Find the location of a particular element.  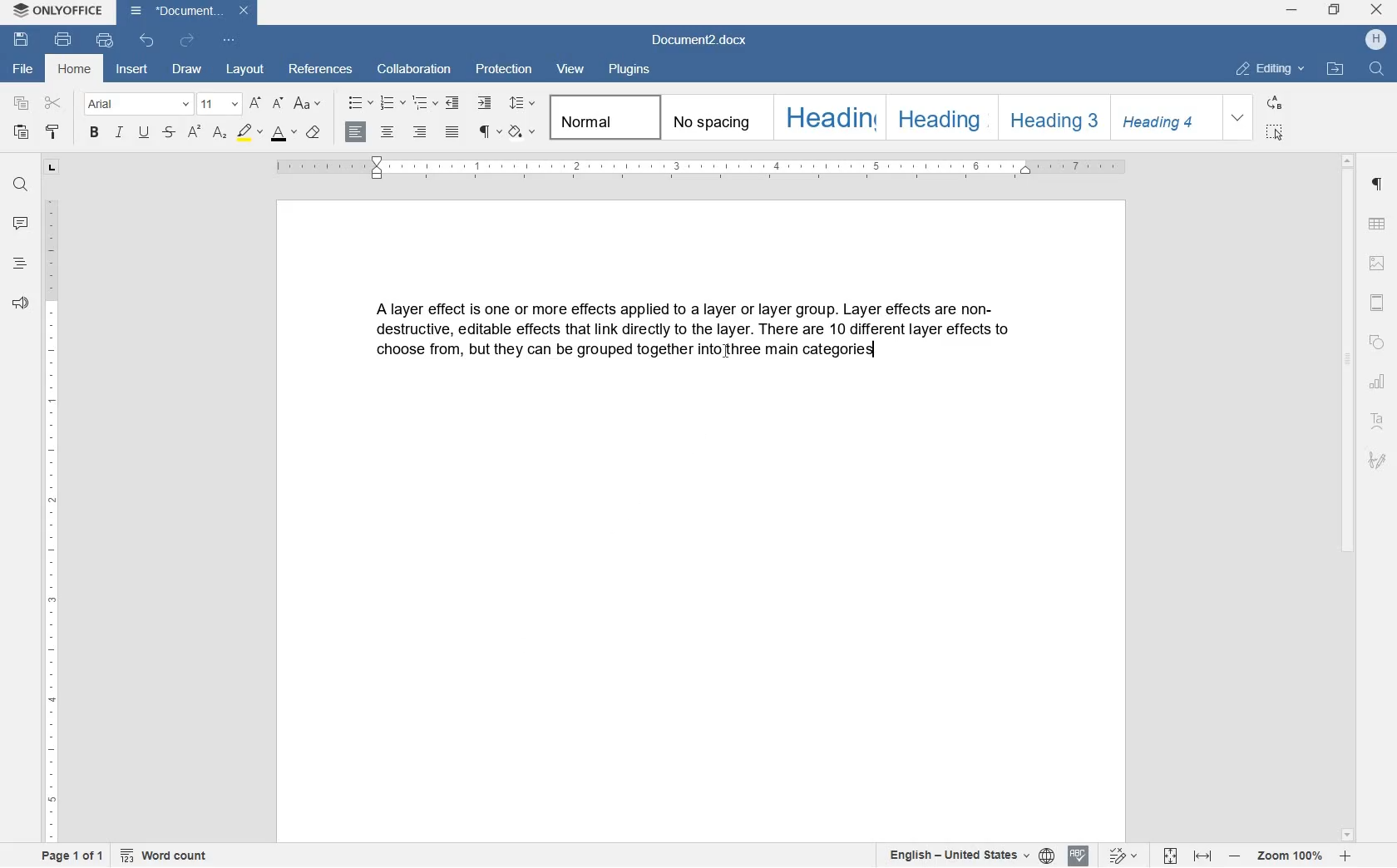

plugins is located at coordinates (629, 70).